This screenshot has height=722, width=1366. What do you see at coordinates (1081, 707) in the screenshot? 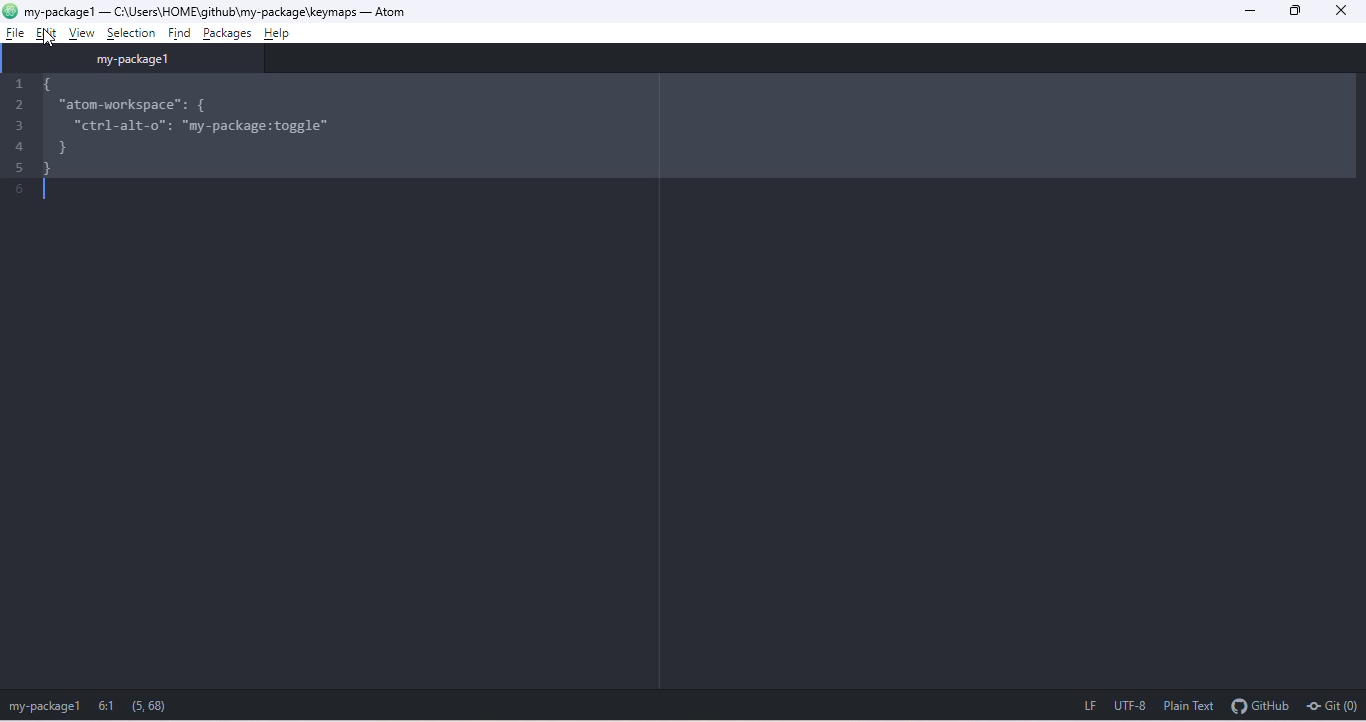
I see `lf` at bounding box center [1081, 707].